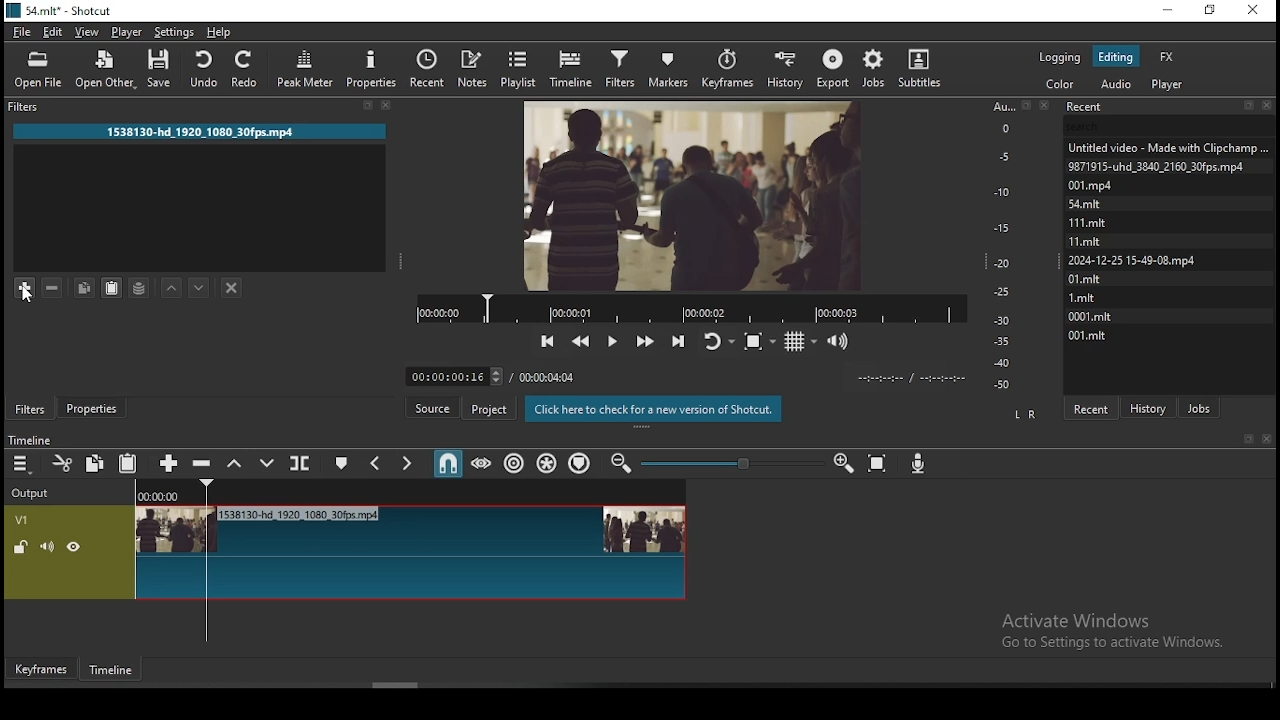 This screenshot has height=720, width=1280. Describe the element at coordinates (1091, 314) in the screenshot. I see `0001.mit` at that location.